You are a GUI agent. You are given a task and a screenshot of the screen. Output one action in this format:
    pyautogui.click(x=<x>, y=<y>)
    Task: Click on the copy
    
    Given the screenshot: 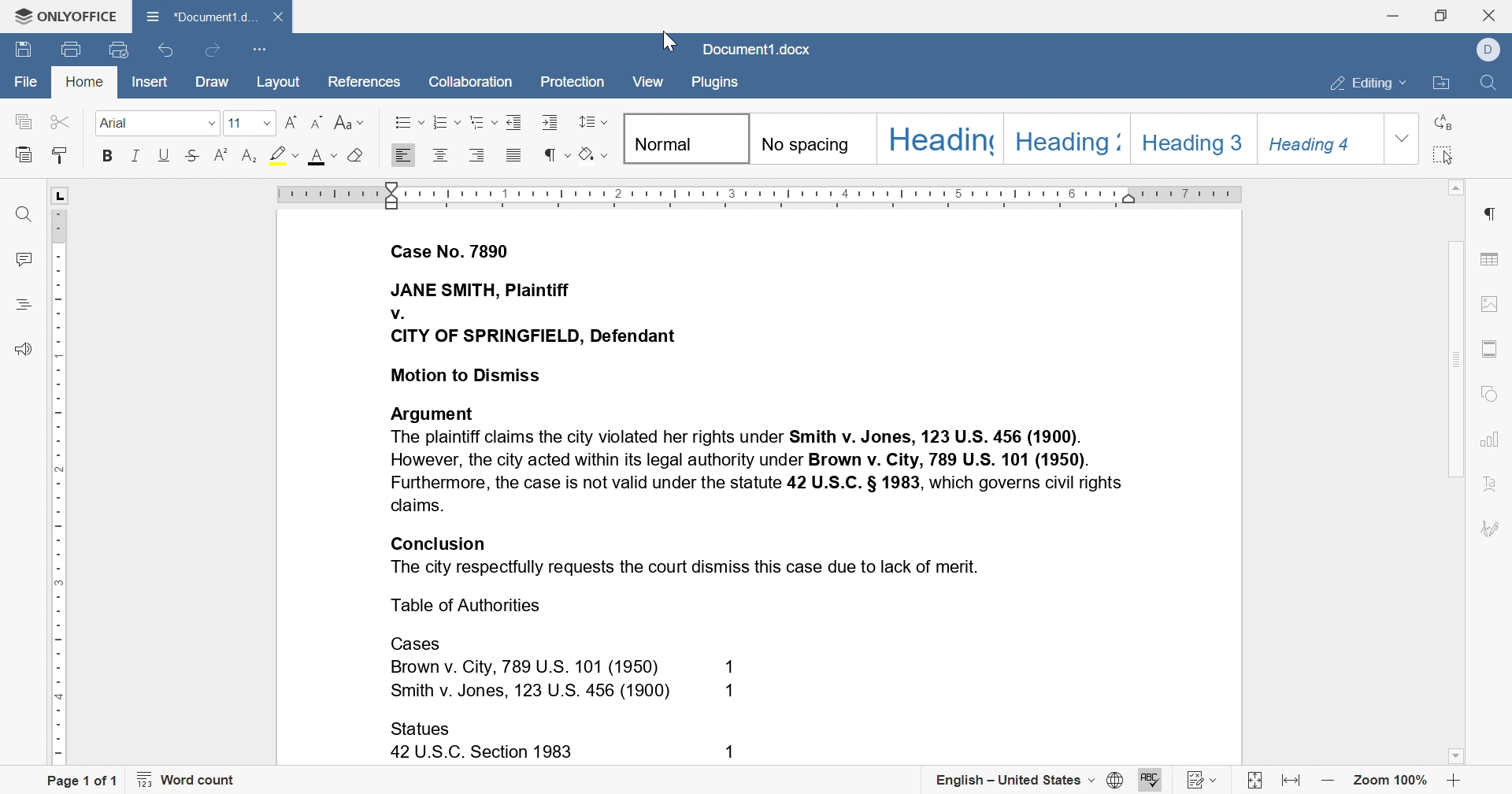 What is the action you would take?
    pyautogui.click(x=23, y=121)
    